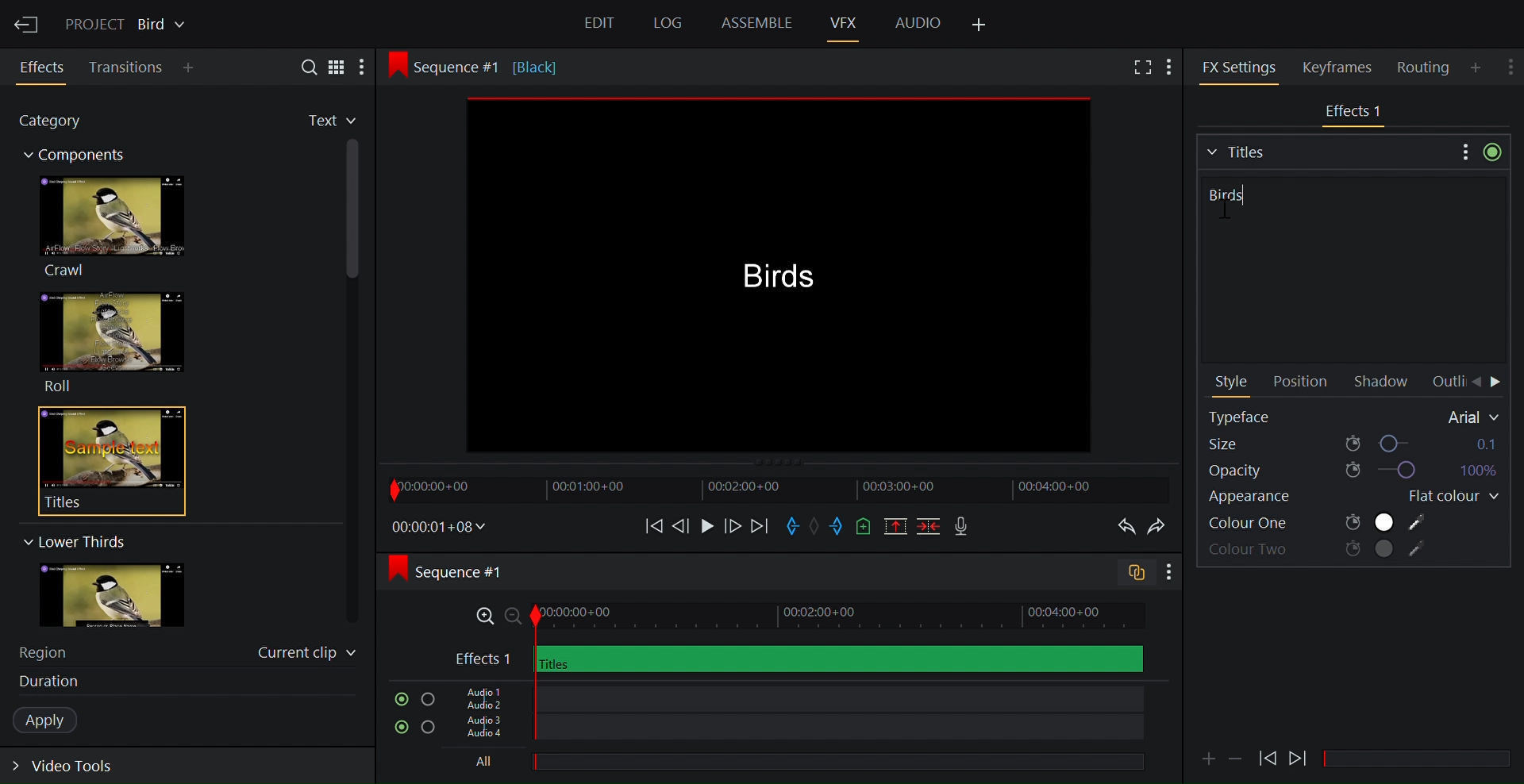 The image size is (1524, 784). Describe the element at coordinates (53, 721) in the screenshot. I see `Apply` at that location.